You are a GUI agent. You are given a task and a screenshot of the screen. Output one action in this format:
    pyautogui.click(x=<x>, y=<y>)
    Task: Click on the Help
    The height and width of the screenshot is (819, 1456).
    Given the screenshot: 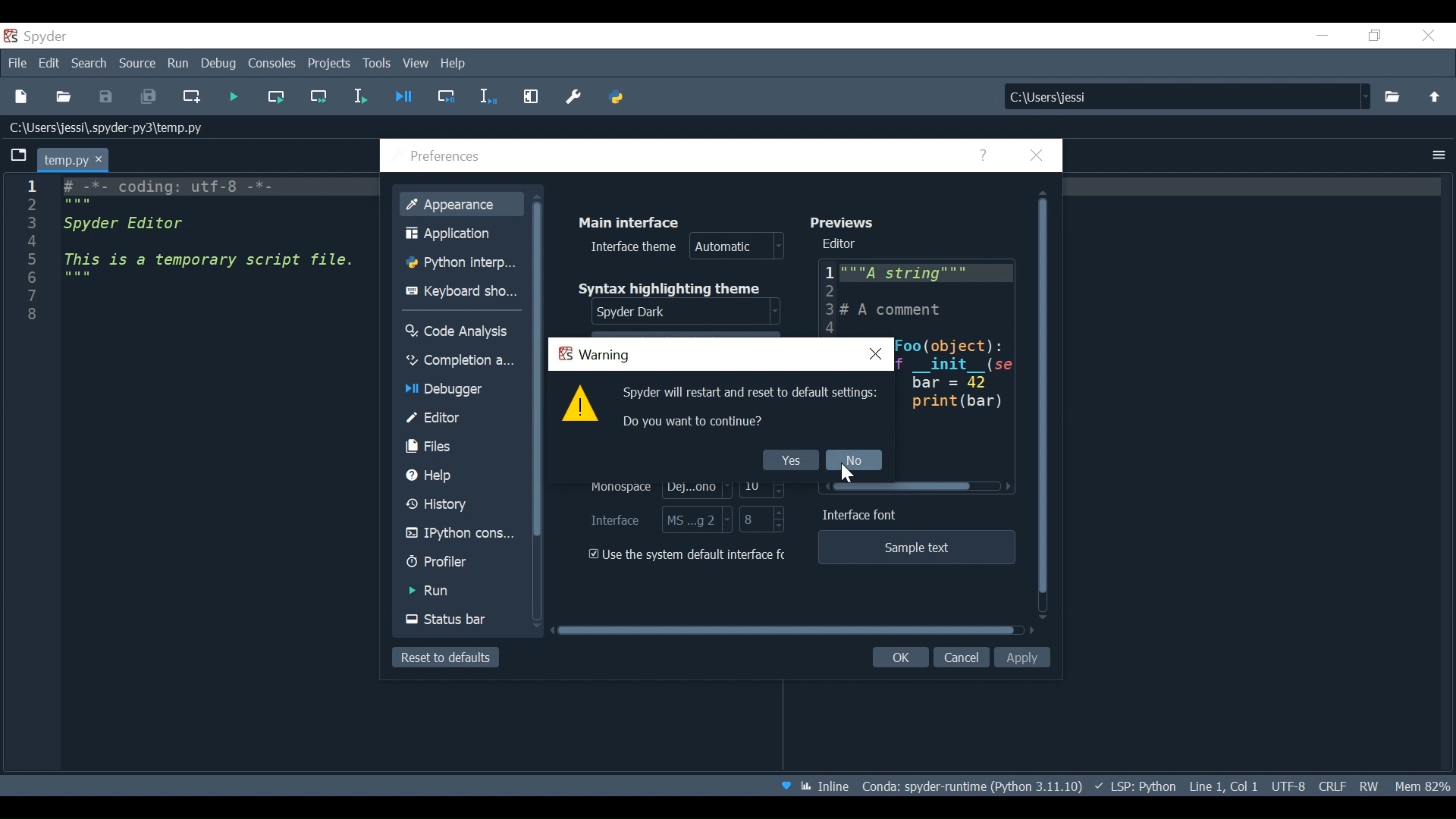 What is the action you would take?
    pyautogui.click(x=462, y=476)
    